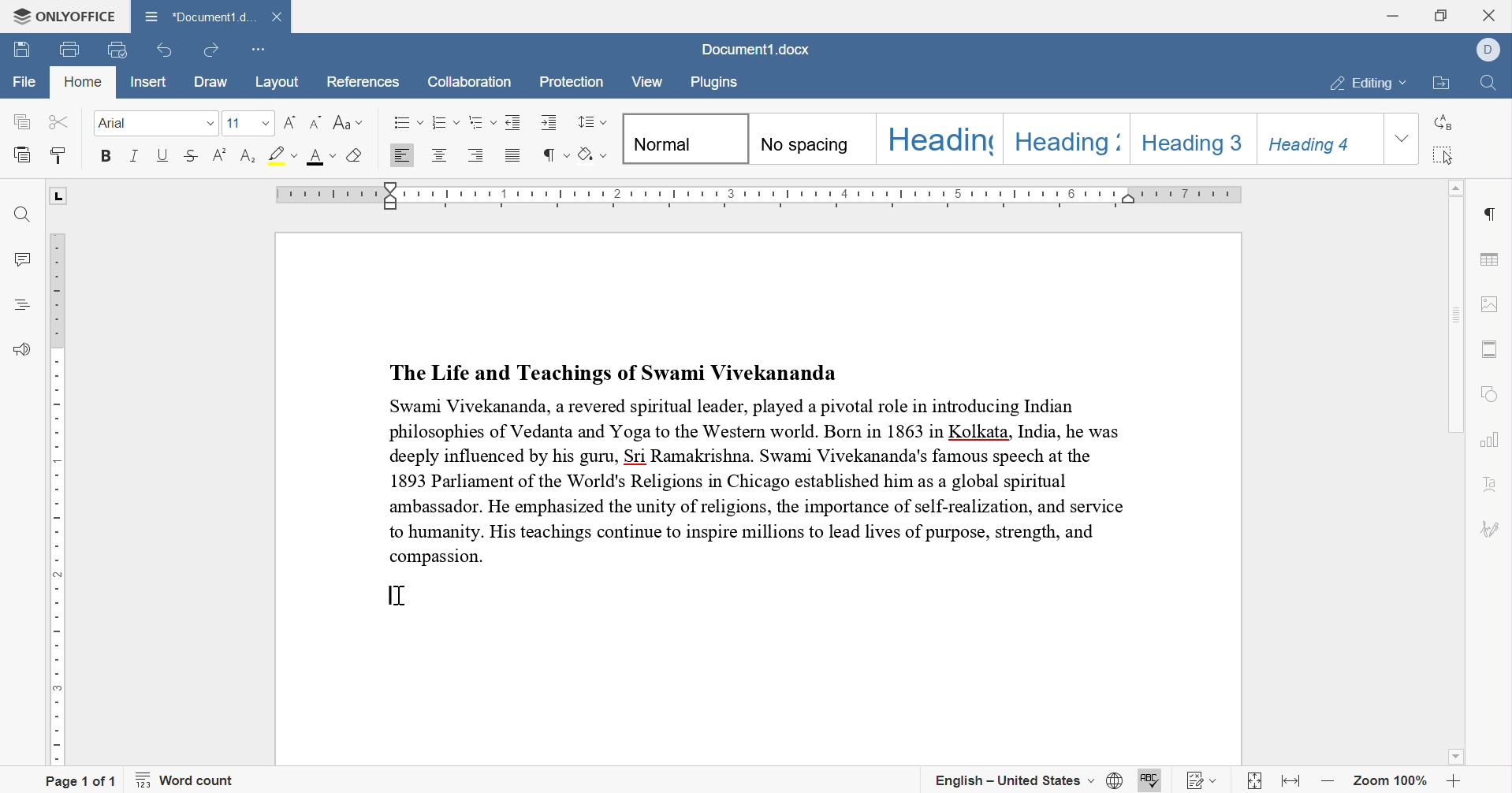 This screenshot has height=793, width=1512. I want to click on clear style, so click(356, 155).